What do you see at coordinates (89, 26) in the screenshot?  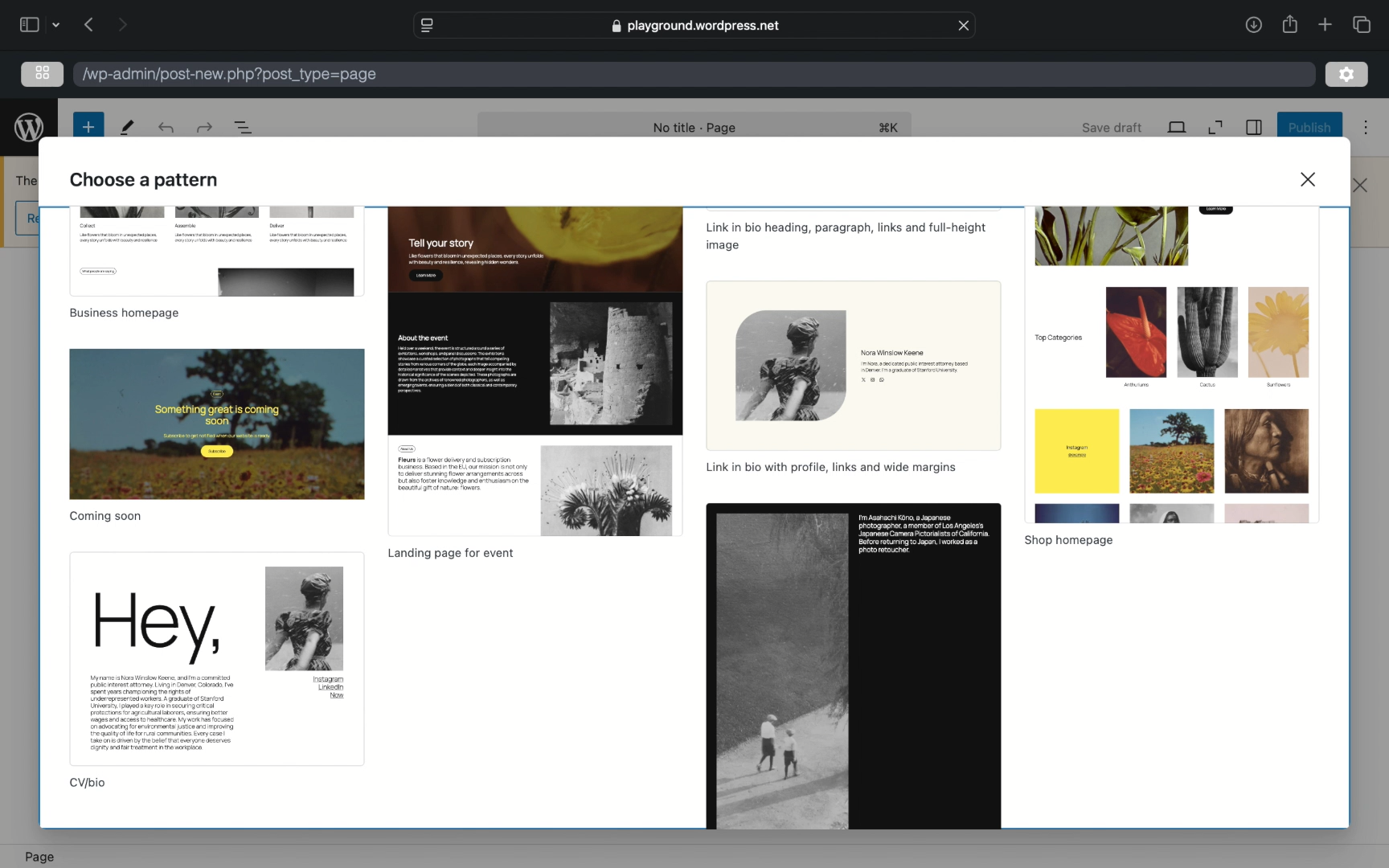 I see `previous page` at bounding box center [89, 26].